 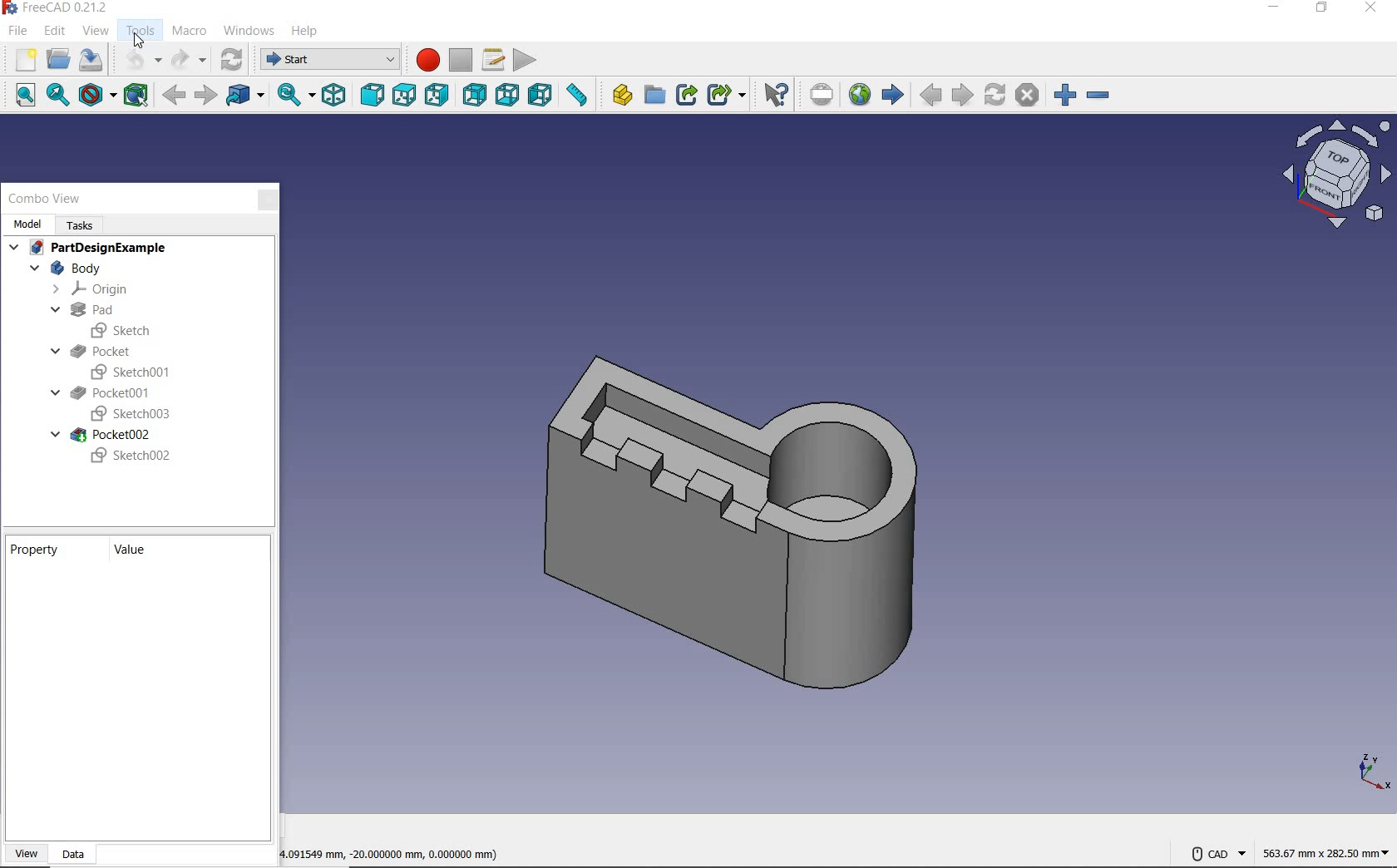 What do you see at coordinates (472, 97) in the screenshot?
I see `Rear` at bounding box center [472, 97].